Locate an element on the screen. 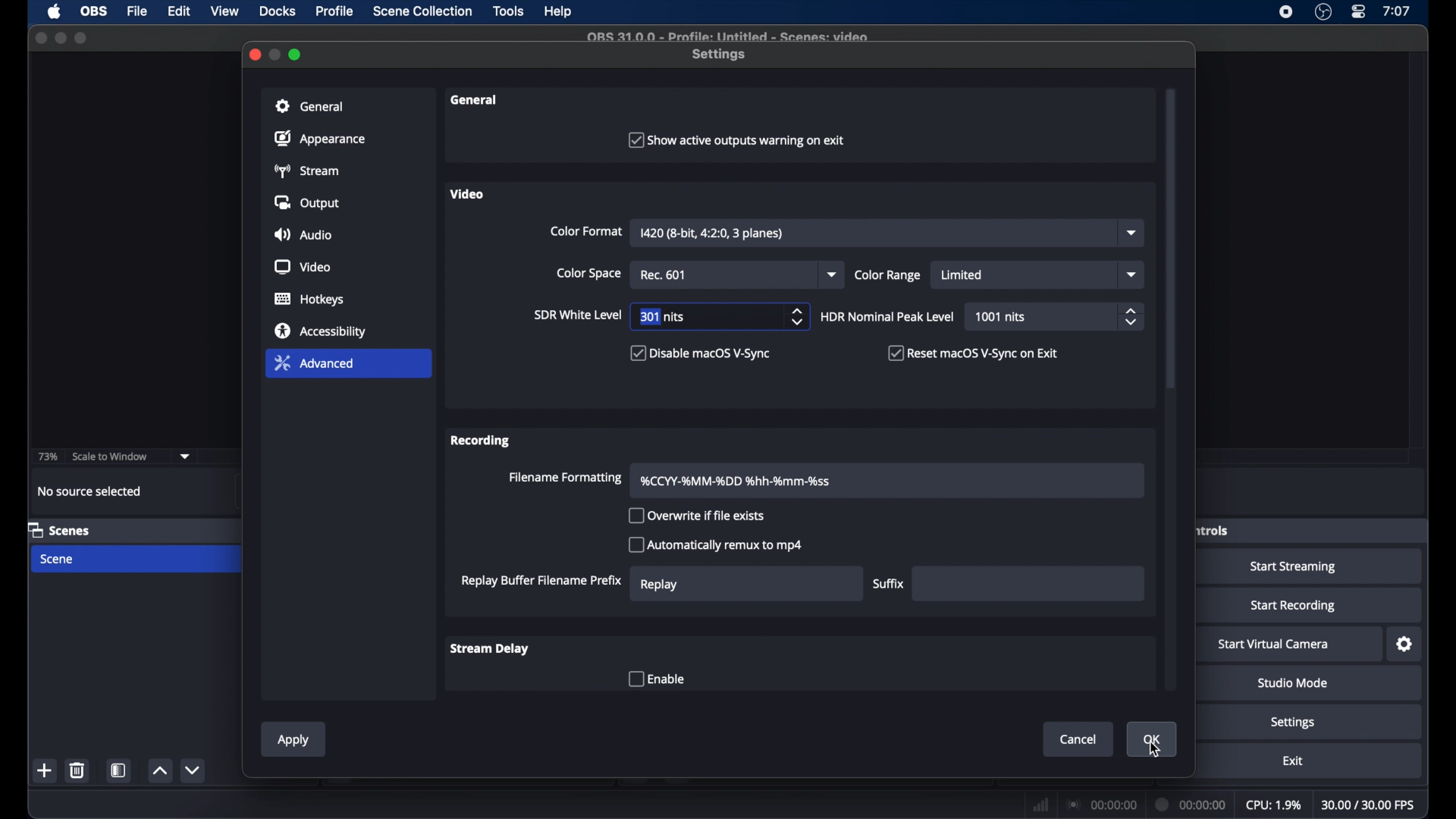  increment is located at coordinates (160, 771).